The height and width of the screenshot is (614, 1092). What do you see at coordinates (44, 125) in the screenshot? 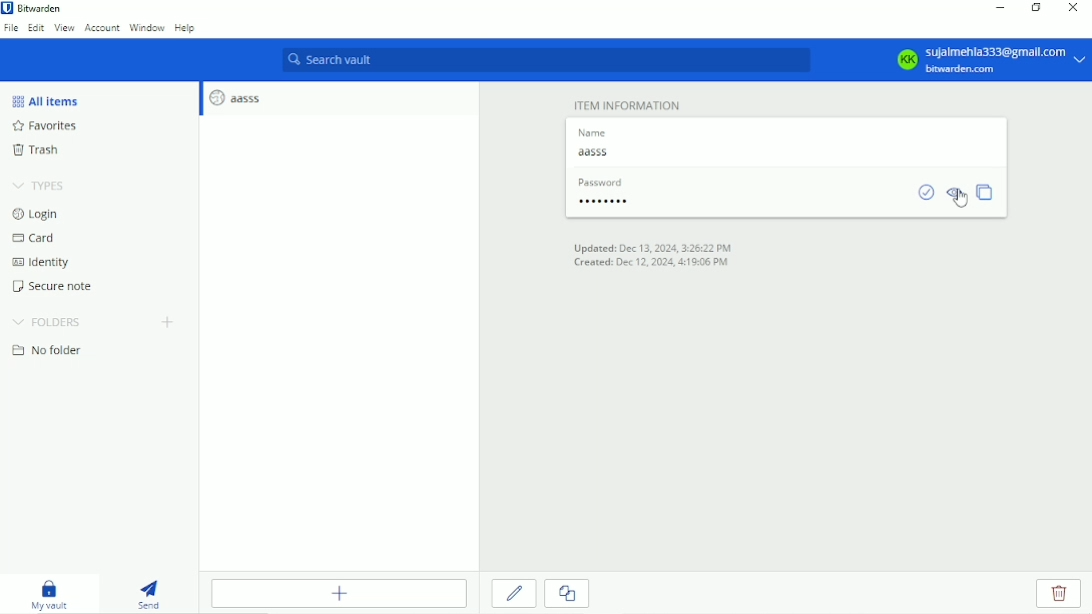
I see `Favorites` at bounding box center [44, 125].